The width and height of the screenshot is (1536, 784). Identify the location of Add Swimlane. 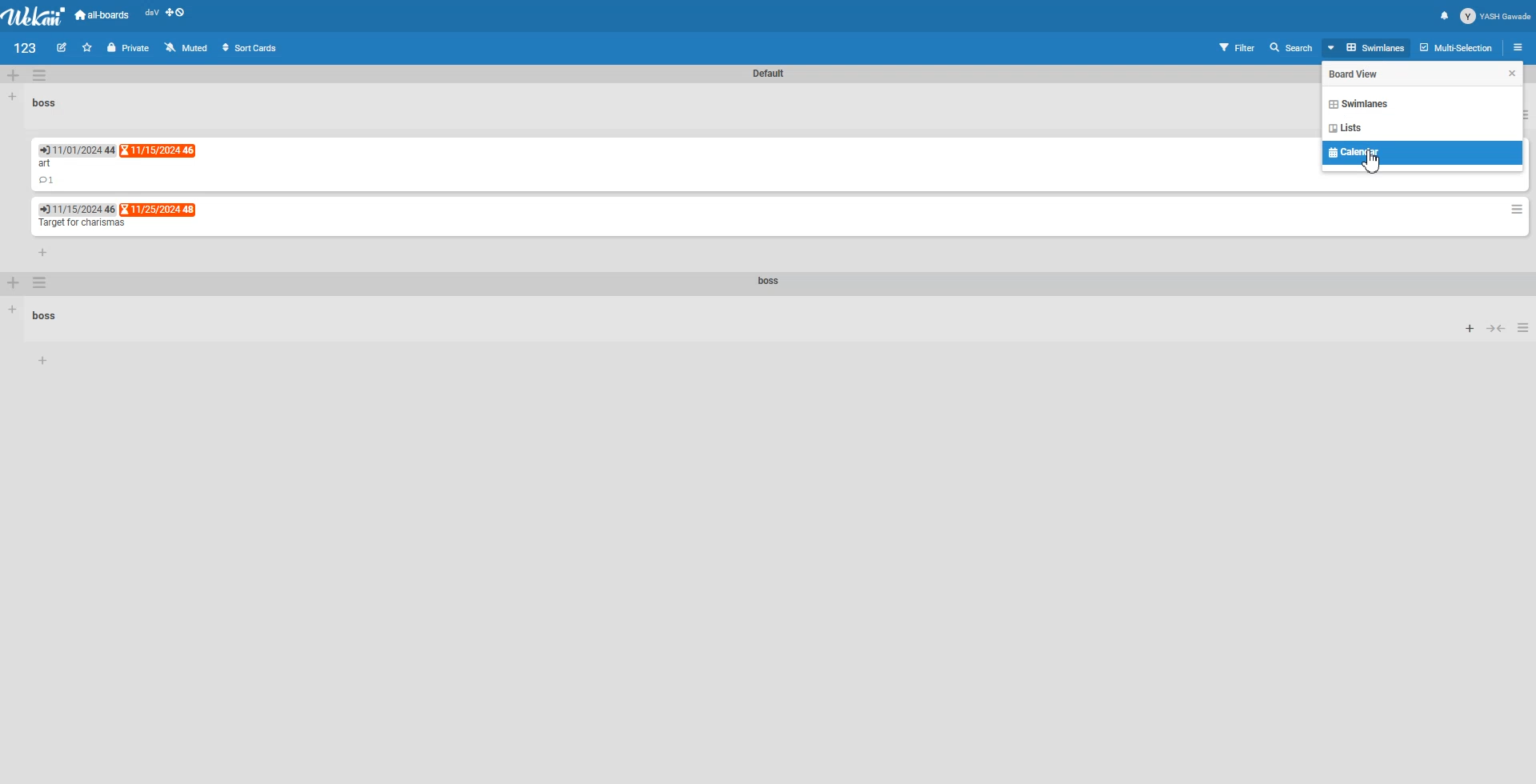
(14, 282).